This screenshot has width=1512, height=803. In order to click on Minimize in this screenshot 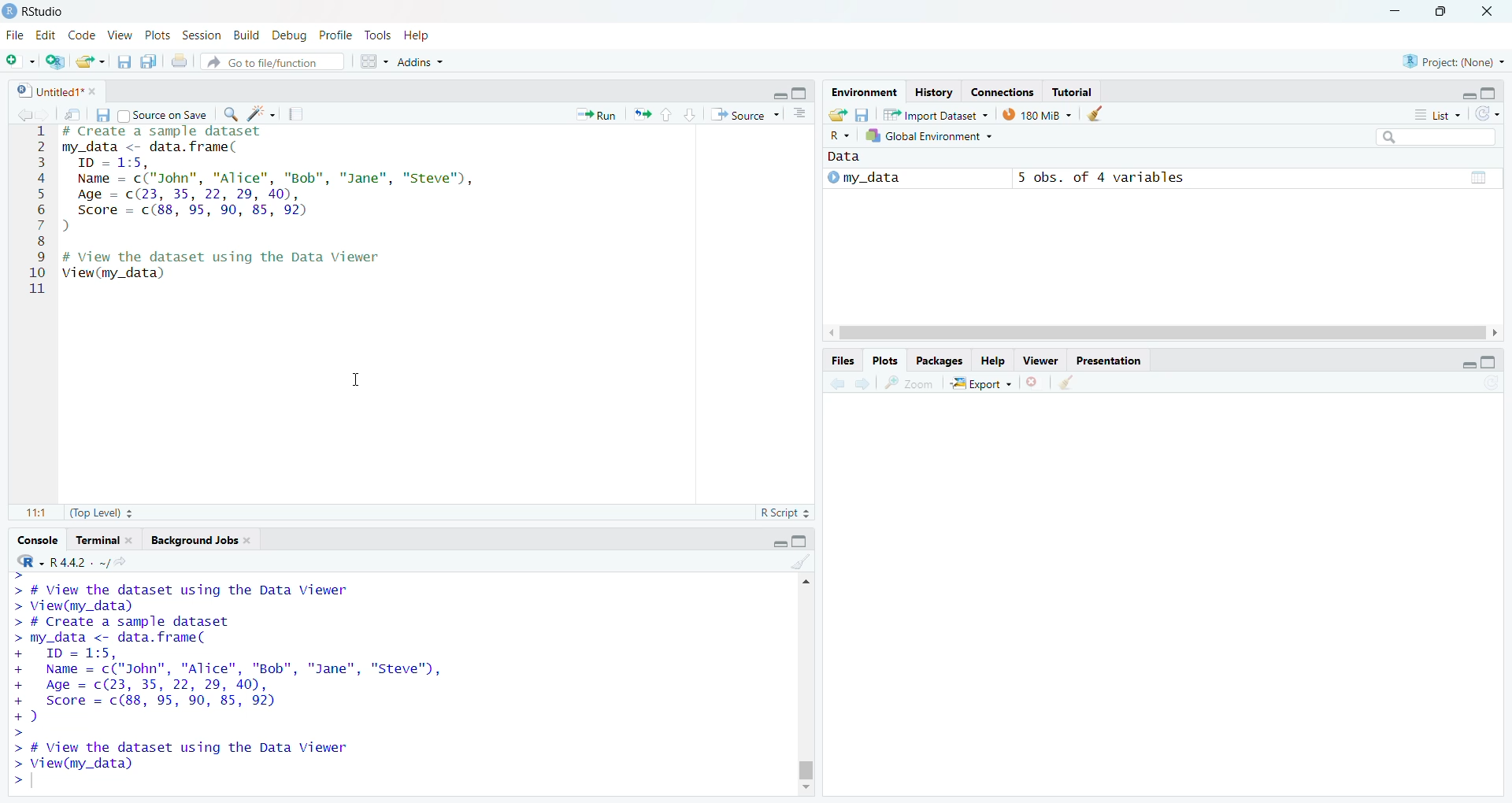, I will do `click(776, 544)`.